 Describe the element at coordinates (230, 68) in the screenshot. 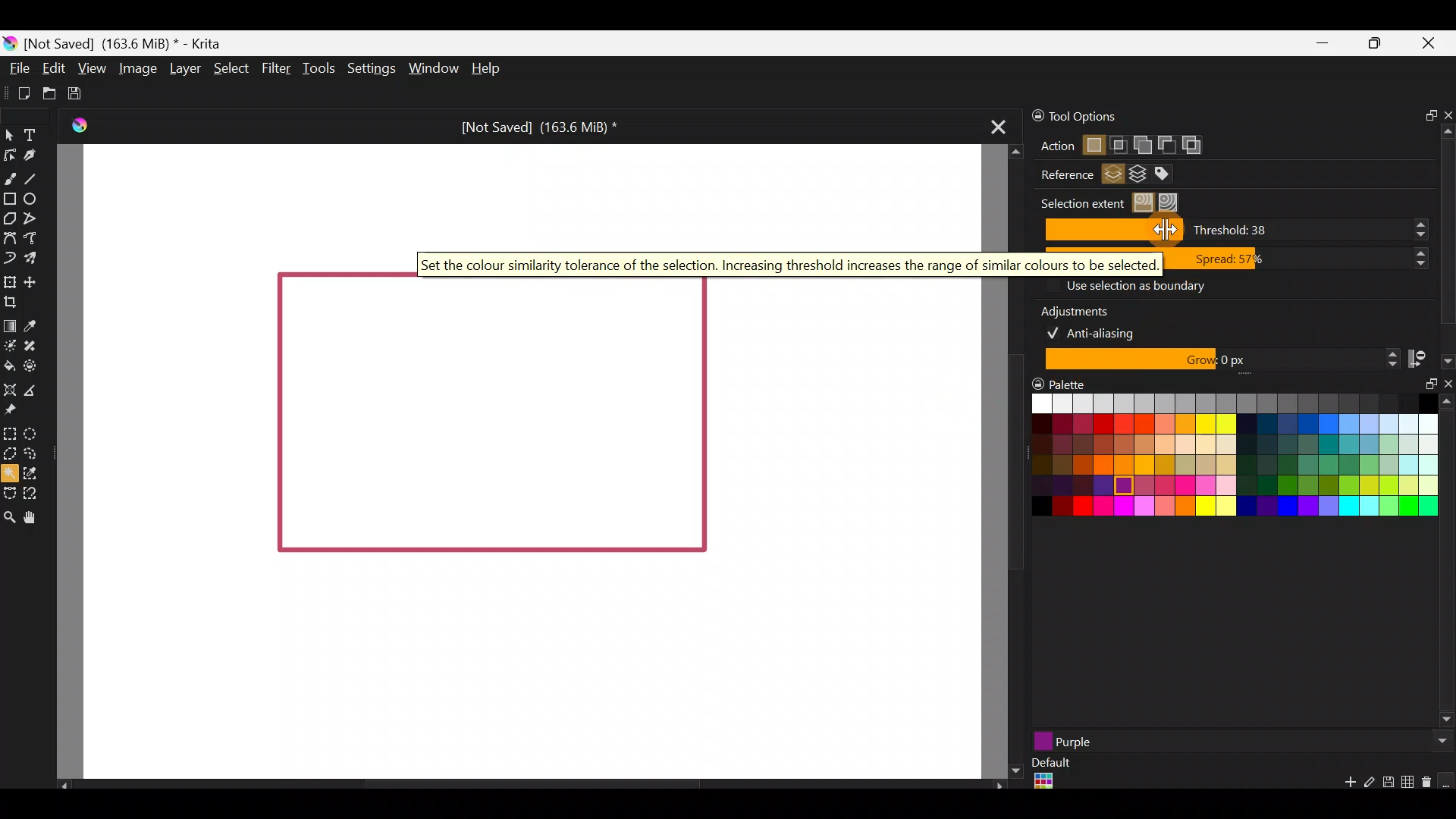

I see `Select` at that location.